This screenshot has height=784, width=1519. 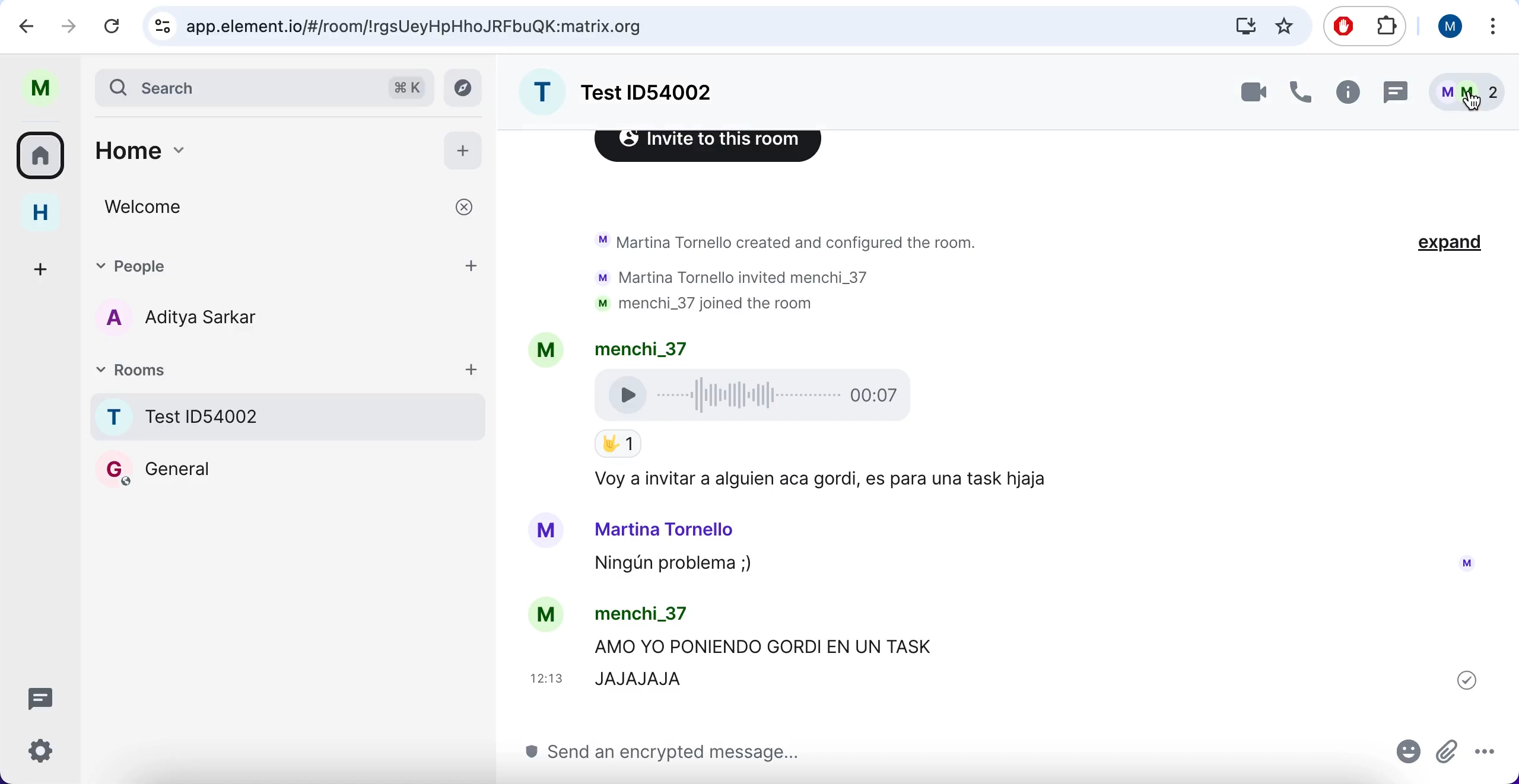 What do you see at coordinates (1451, 27) in the screenshot?
I see `user` at bounding box center [1451, 27].